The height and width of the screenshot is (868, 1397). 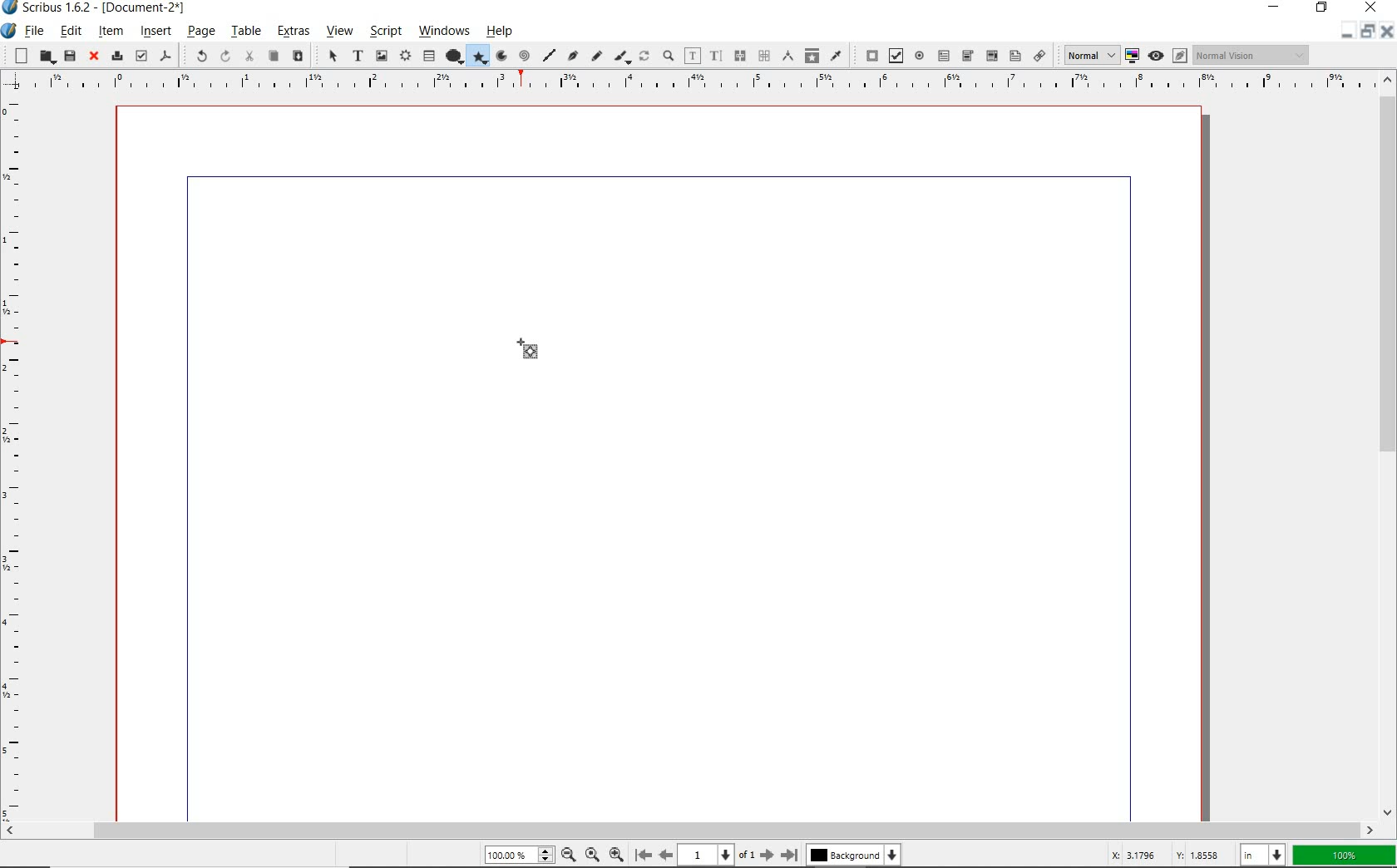 What do you see at coordinates (1261, 854) in the screenshot?
I see `select unit` at bounding box center [1261, 854].